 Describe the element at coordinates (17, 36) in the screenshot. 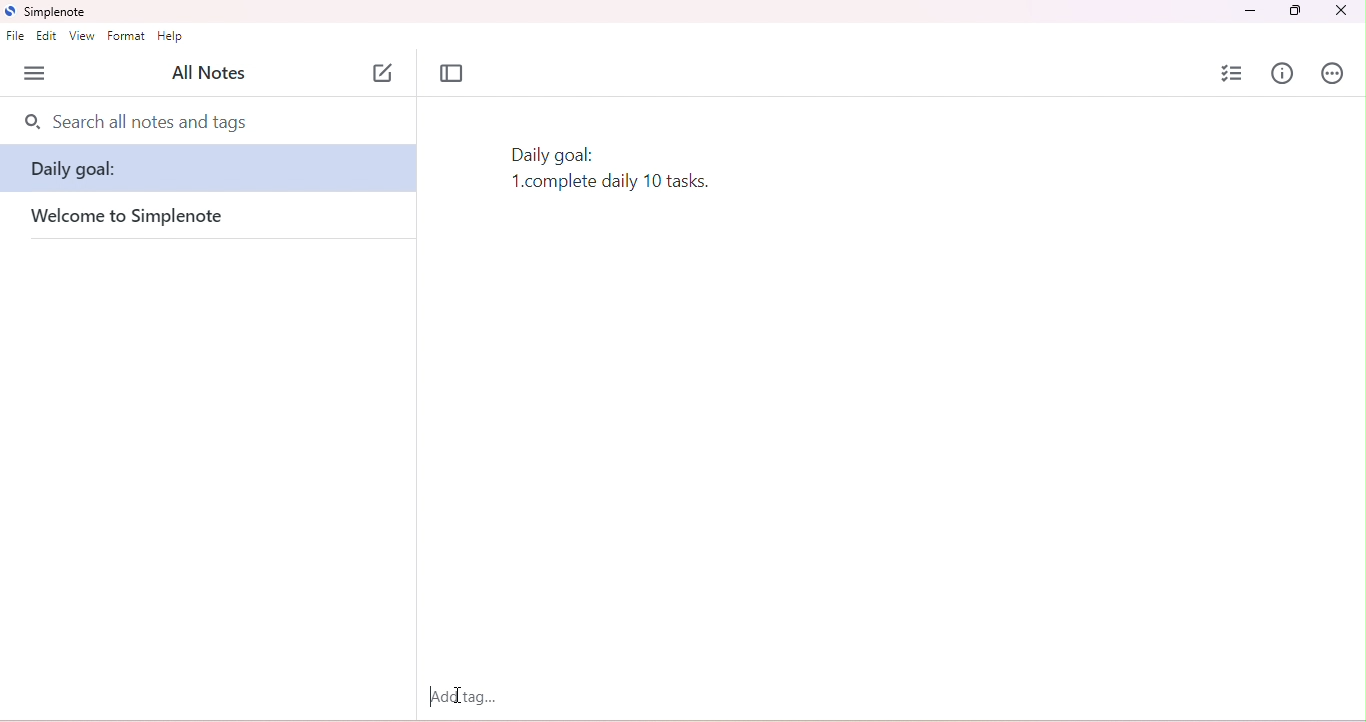

I see `file` at that location.